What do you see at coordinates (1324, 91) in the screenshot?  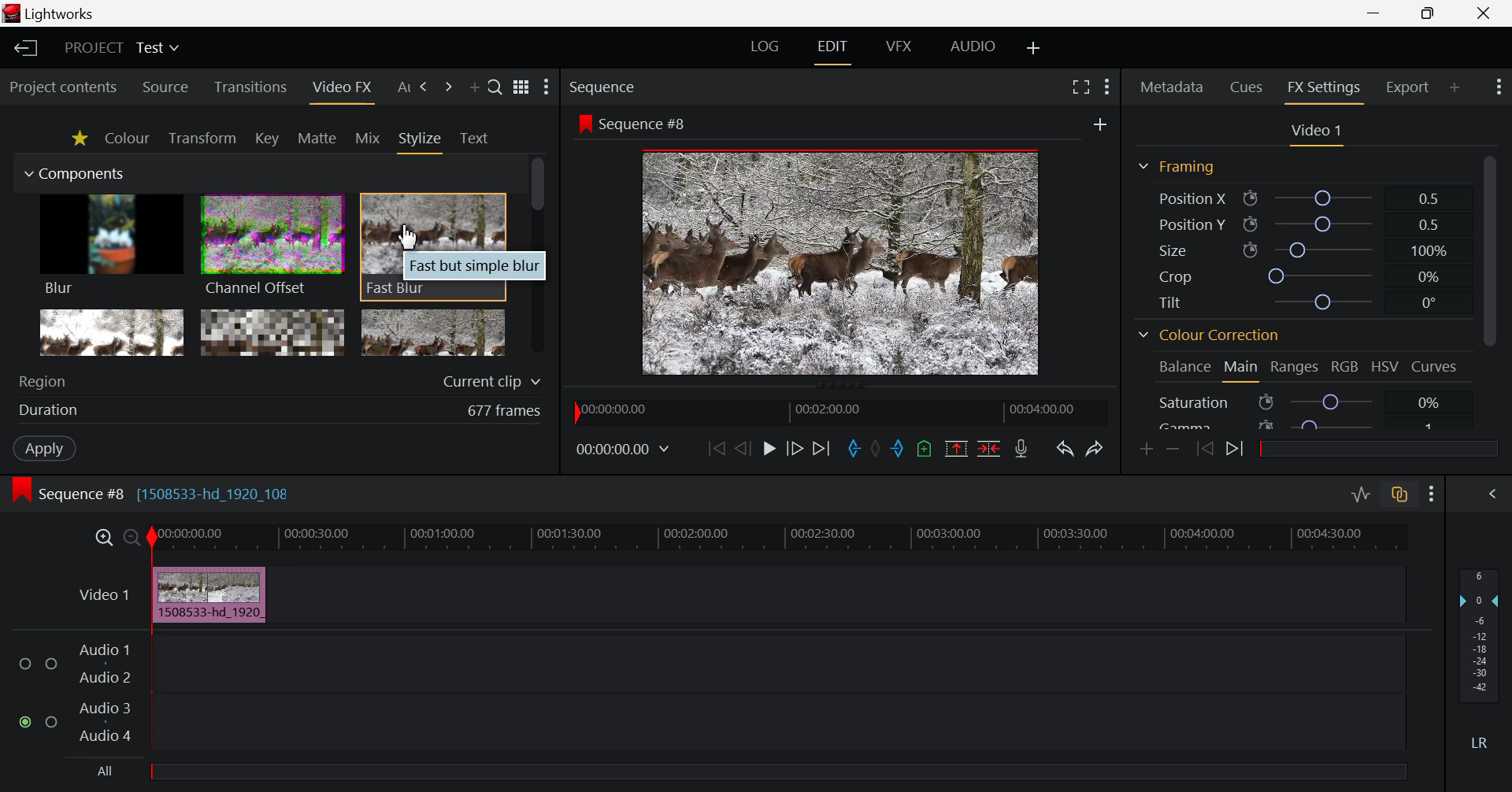 I see `FX Settings Open` at bounding box center [1324, 91].